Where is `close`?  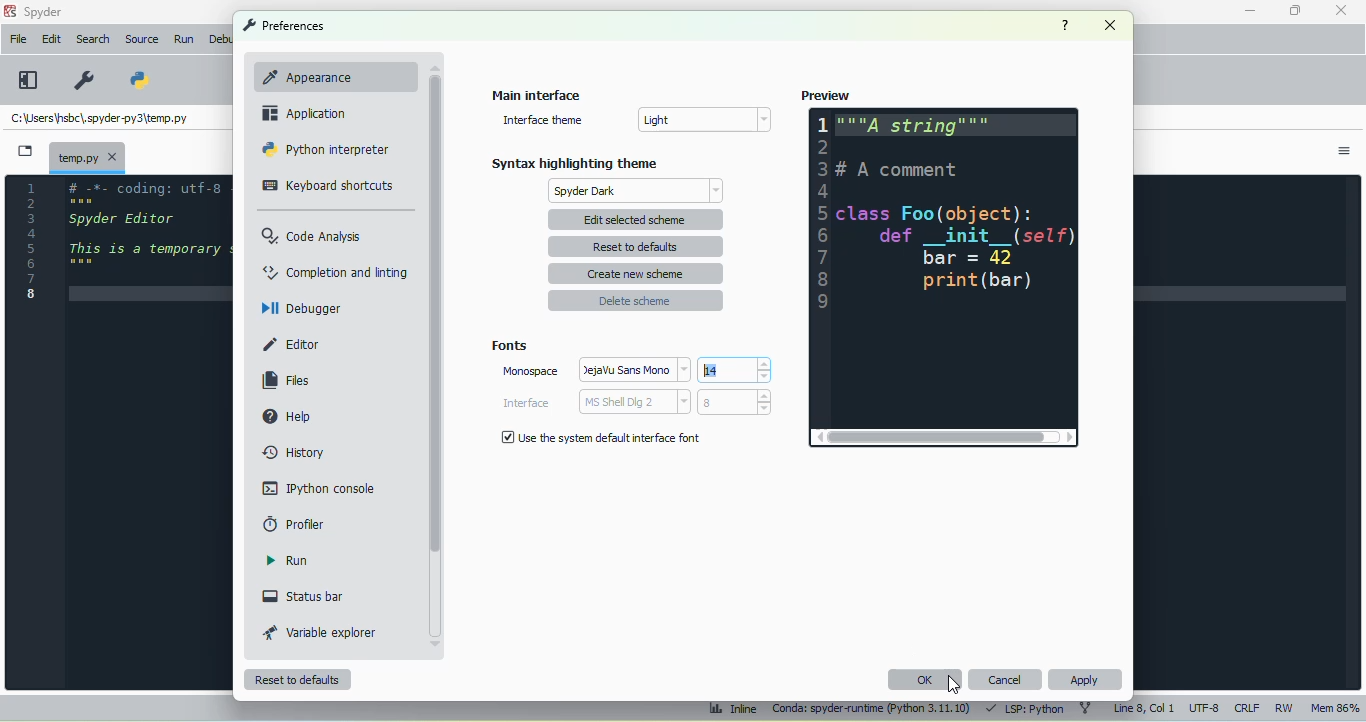 close is located at coordinates (1340, 9).